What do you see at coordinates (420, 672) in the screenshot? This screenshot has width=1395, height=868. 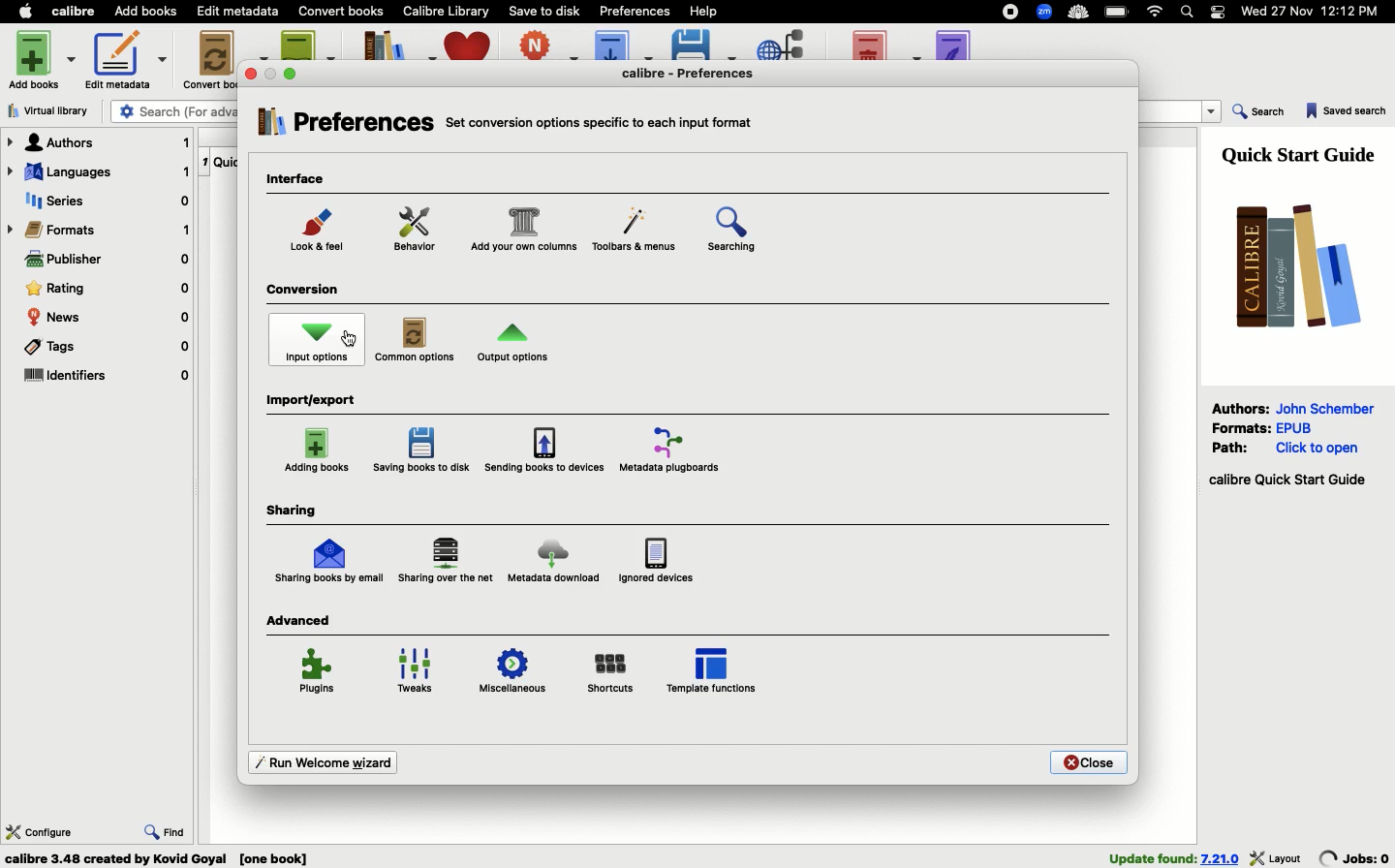 I see `Tweaks` at bounding box center [420, 672].